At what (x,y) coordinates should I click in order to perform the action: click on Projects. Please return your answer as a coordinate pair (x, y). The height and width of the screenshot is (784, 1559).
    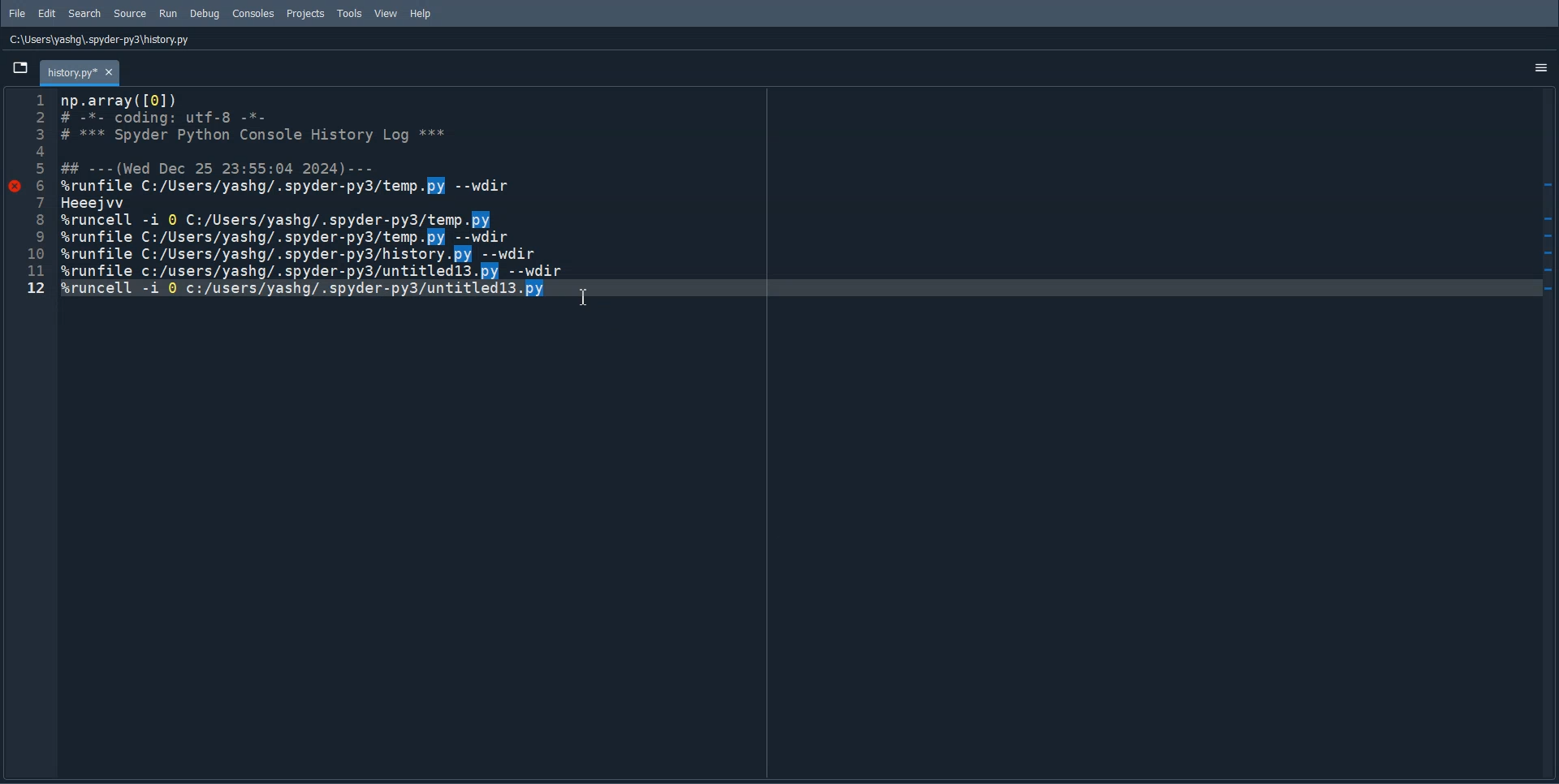
    Looking at the image, I should click on (304, 14).